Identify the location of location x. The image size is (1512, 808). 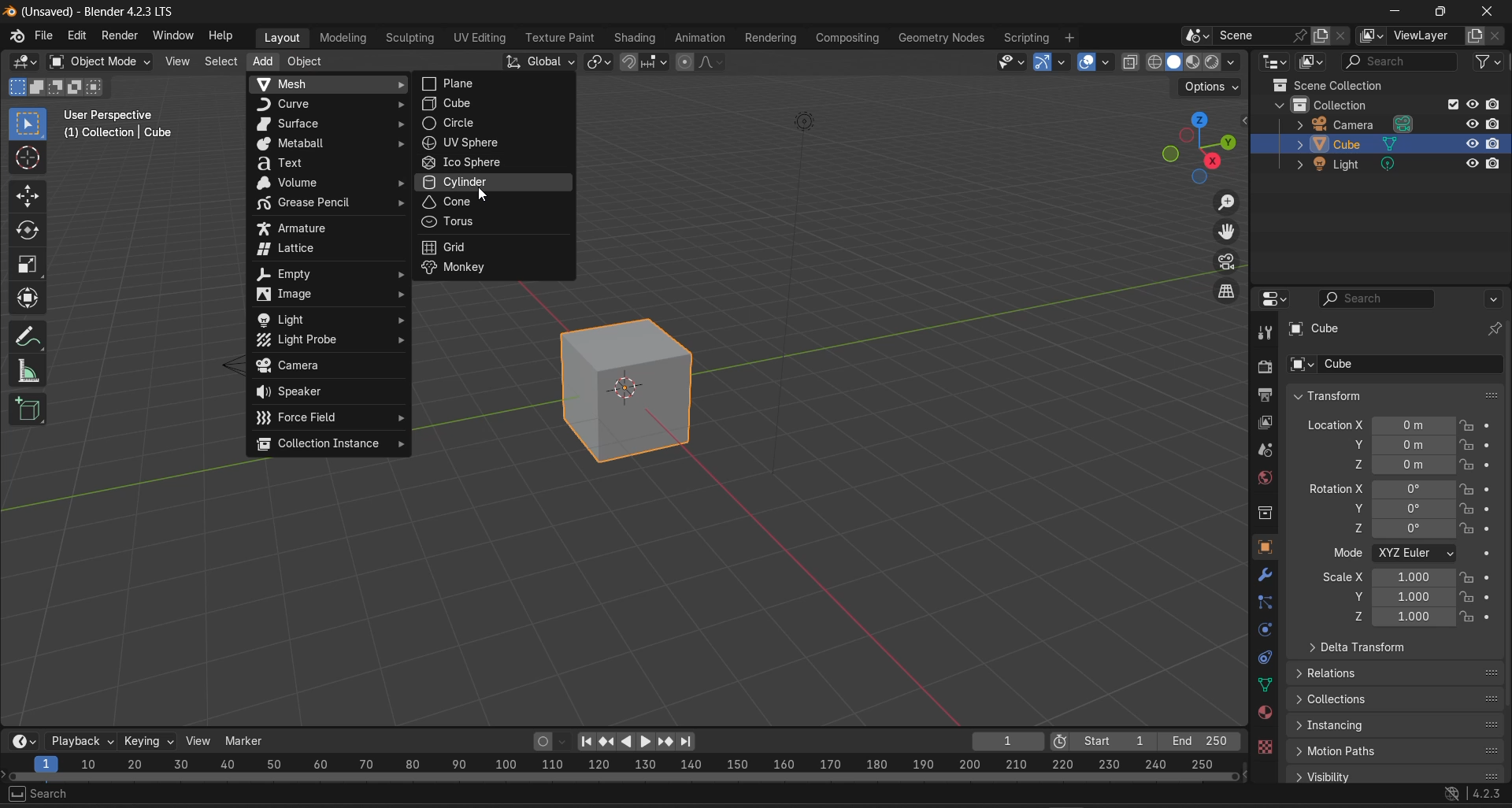
(1378, 424).